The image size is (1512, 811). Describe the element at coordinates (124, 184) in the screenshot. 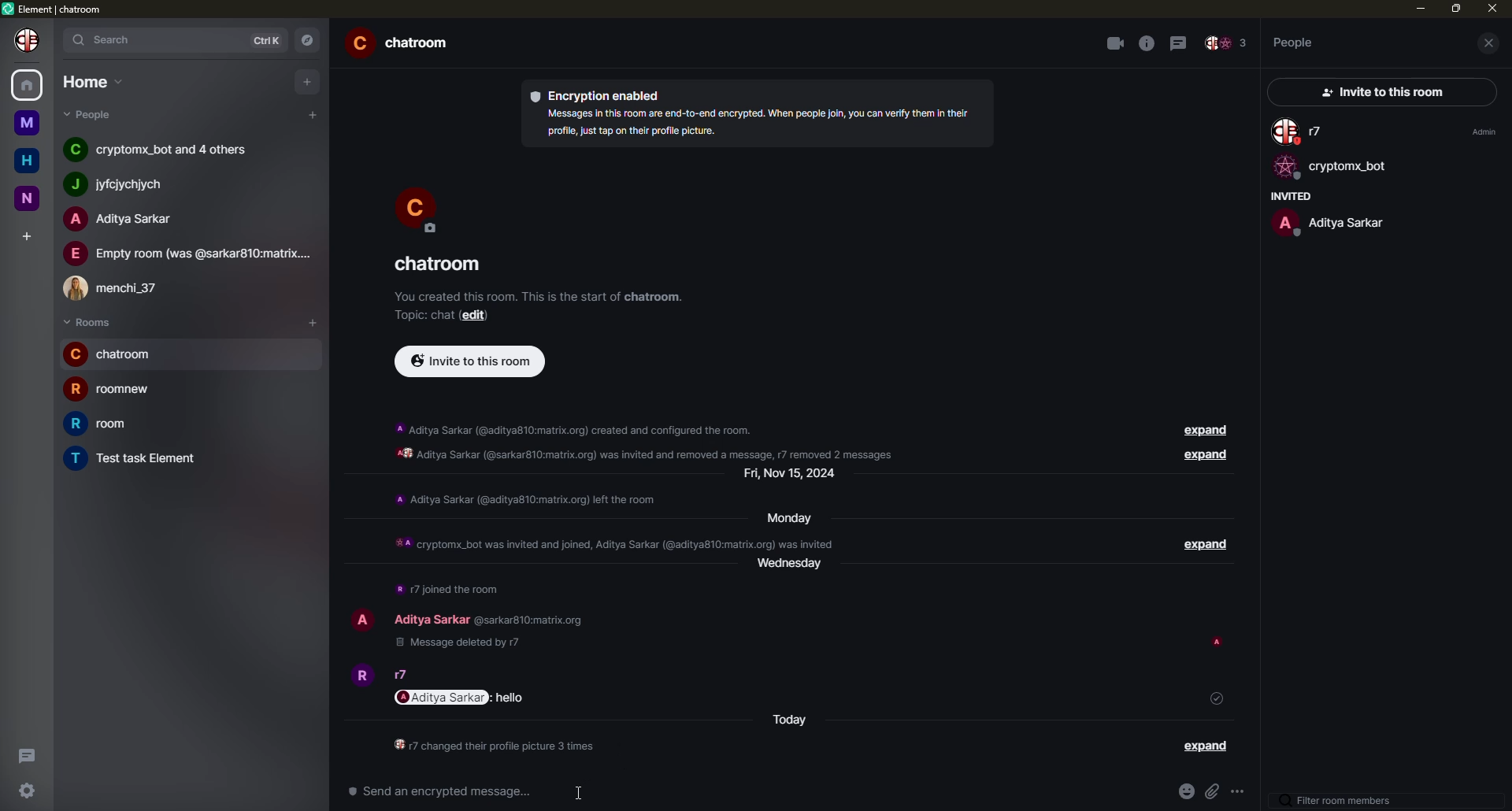

I see `people` at that location.